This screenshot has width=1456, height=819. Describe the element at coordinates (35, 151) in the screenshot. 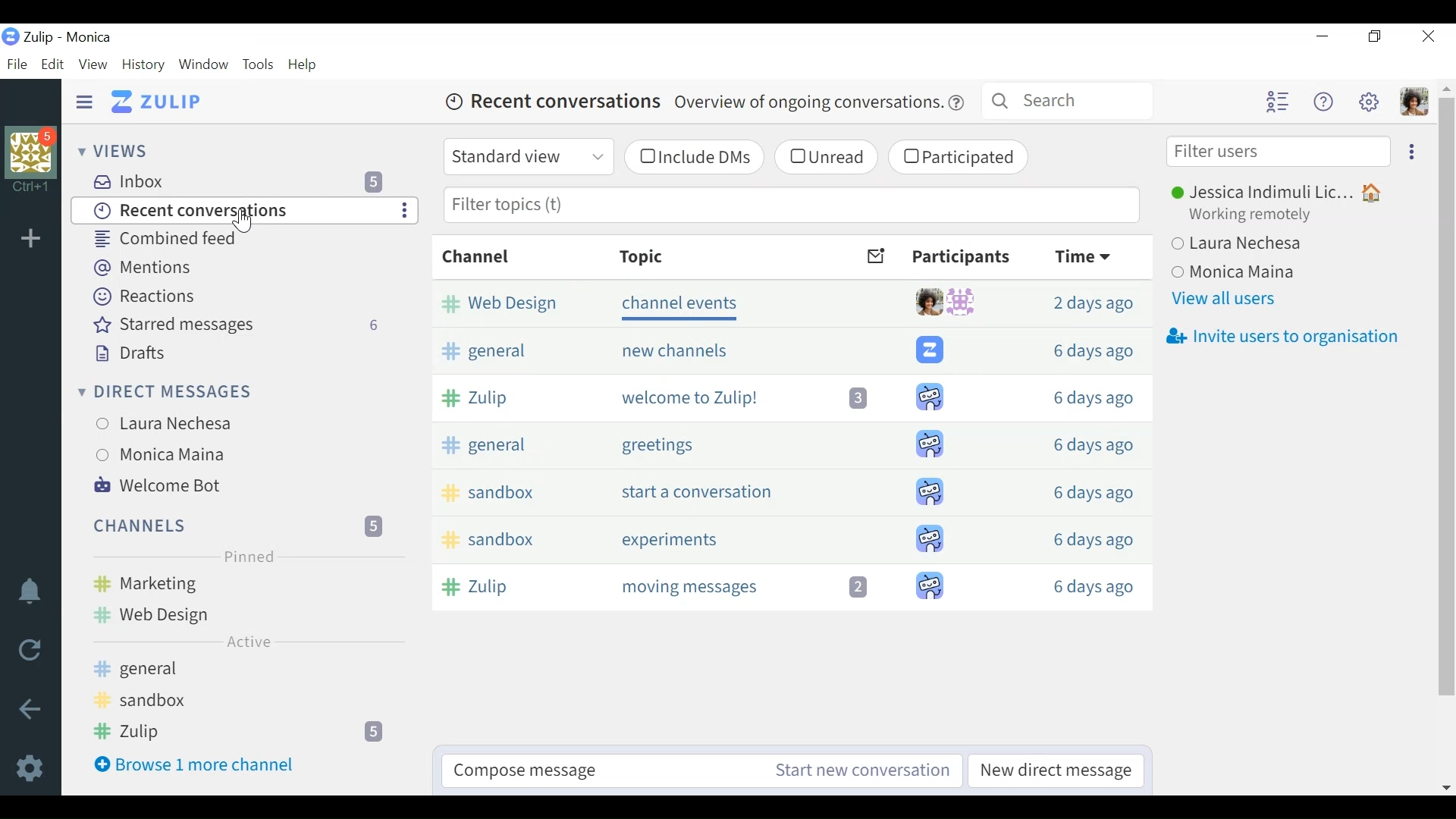

I see `organisation photo` at that location.